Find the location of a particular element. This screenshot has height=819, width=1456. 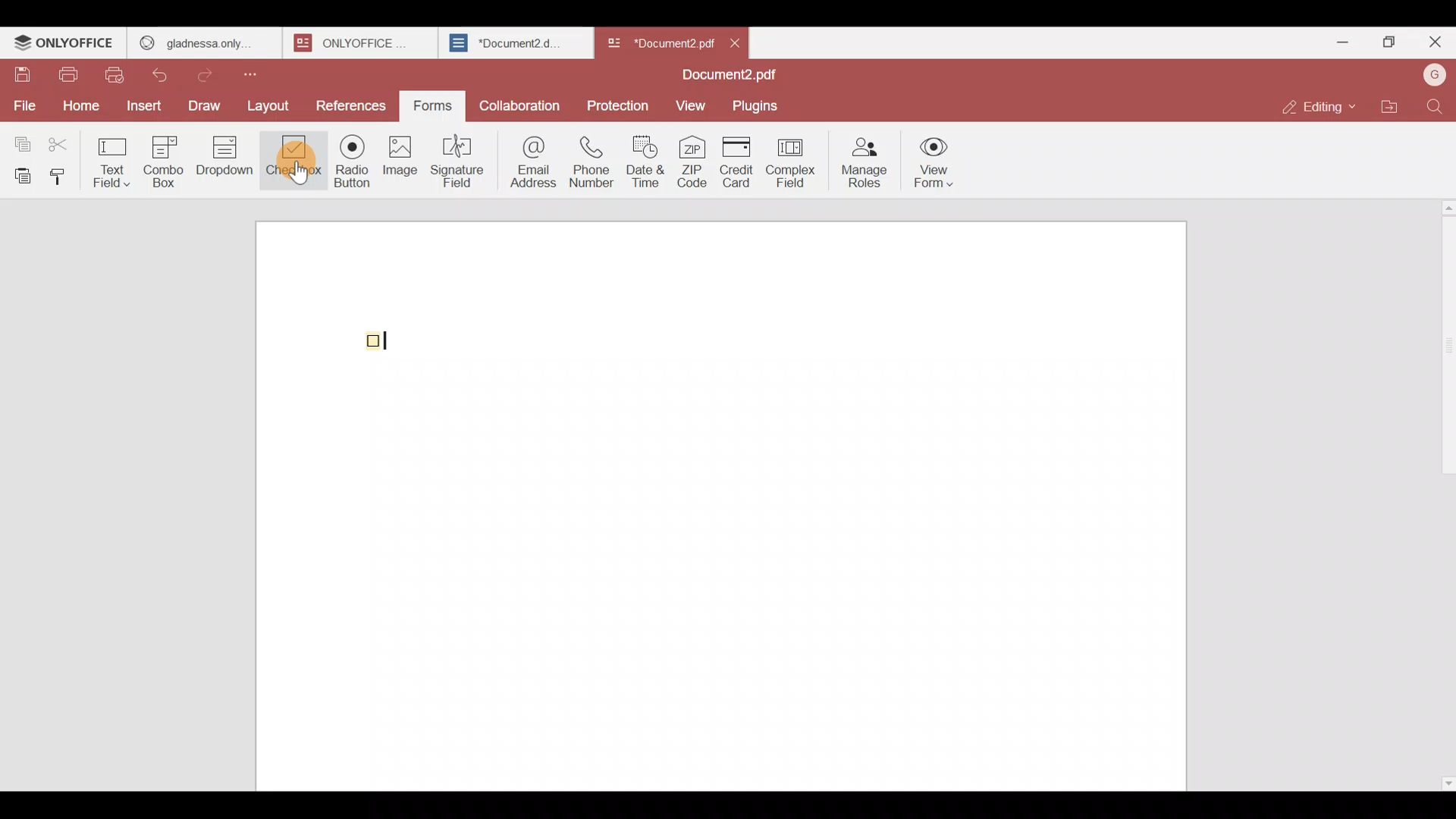

Find is located at coordinates (1435, 106).